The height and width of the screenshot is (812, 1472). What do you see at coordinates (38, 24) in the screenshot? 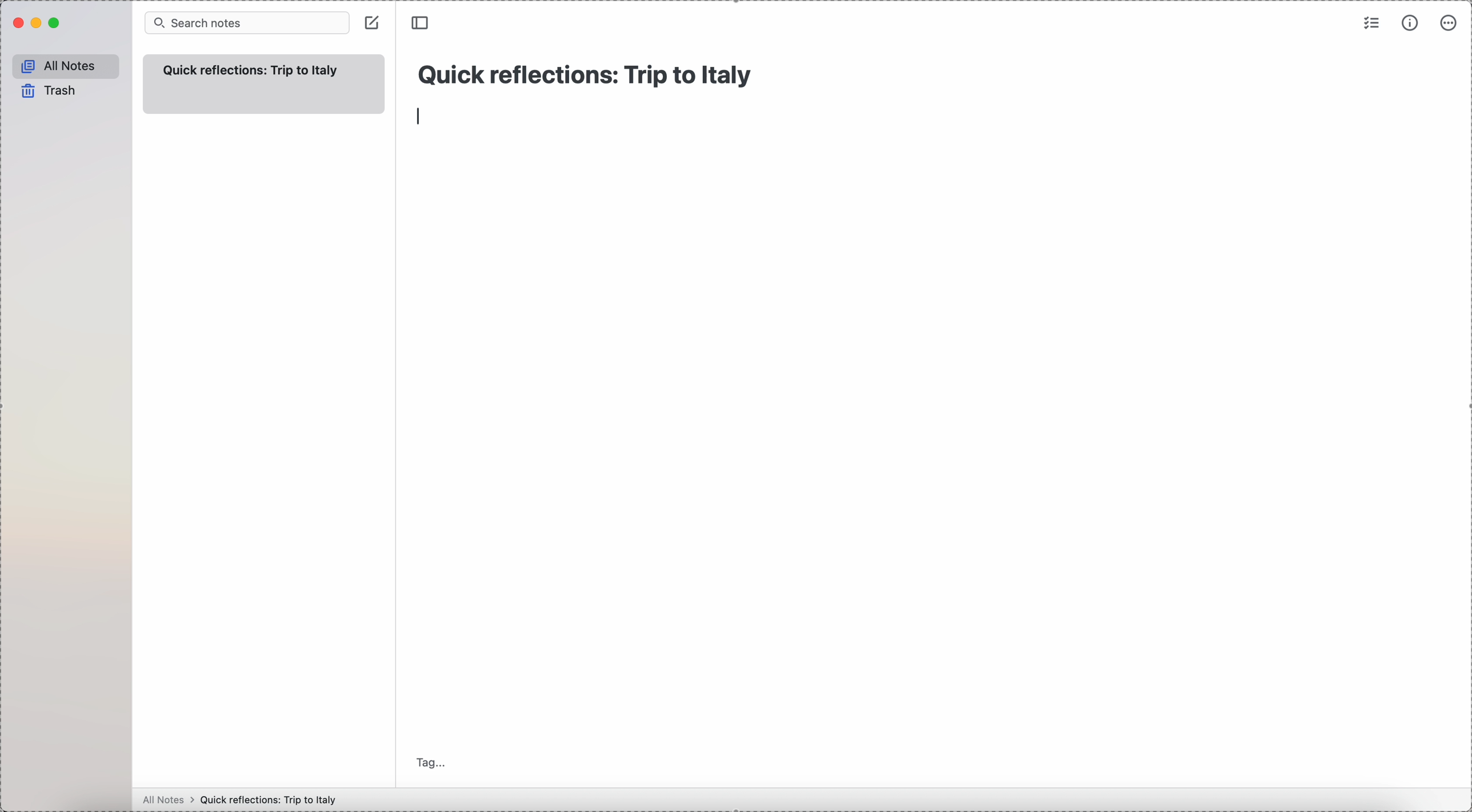
I see `minimize` at bounding box center [38, 24].